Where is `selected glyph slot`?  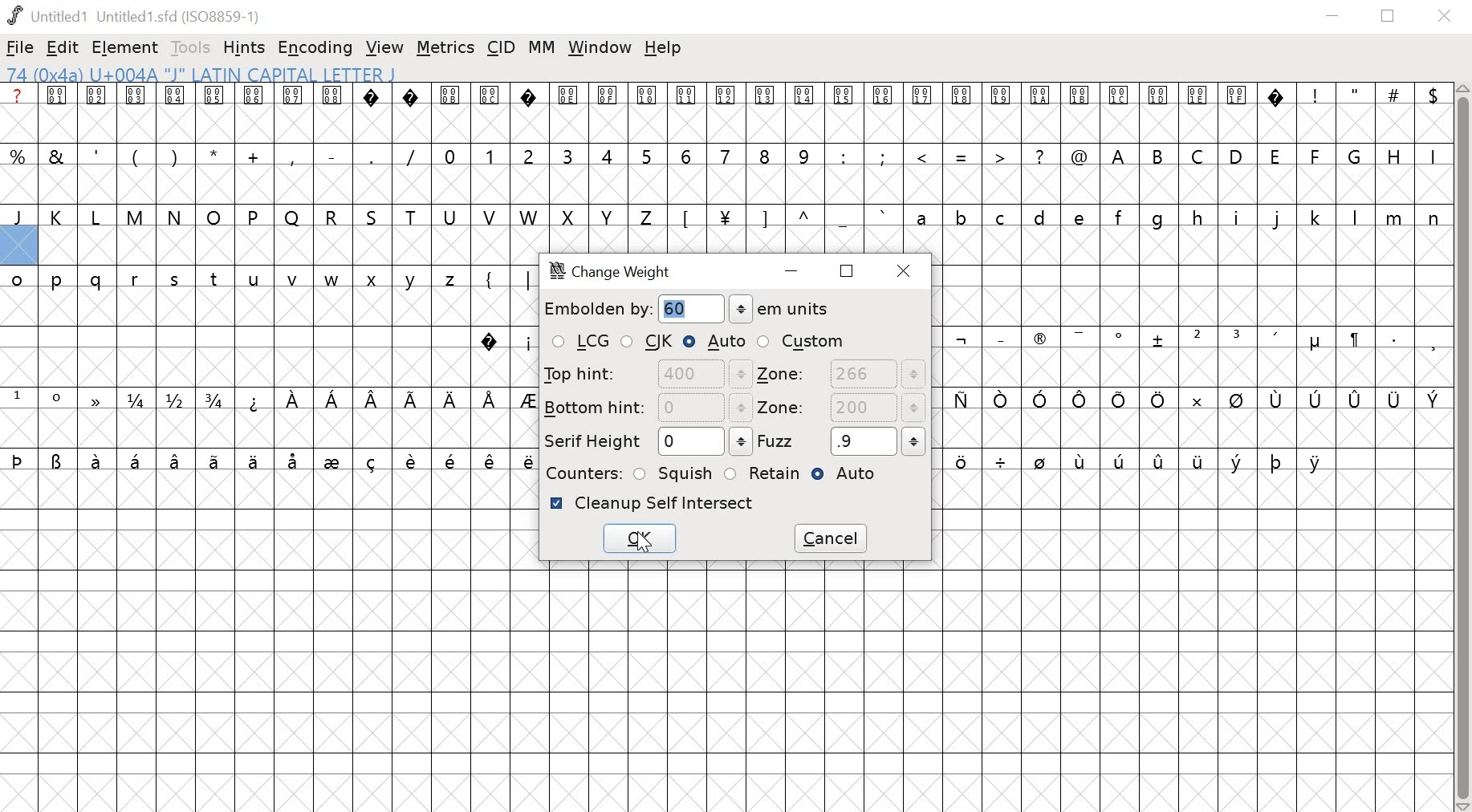
selected glyph slot is located at coordinates (18, 246).